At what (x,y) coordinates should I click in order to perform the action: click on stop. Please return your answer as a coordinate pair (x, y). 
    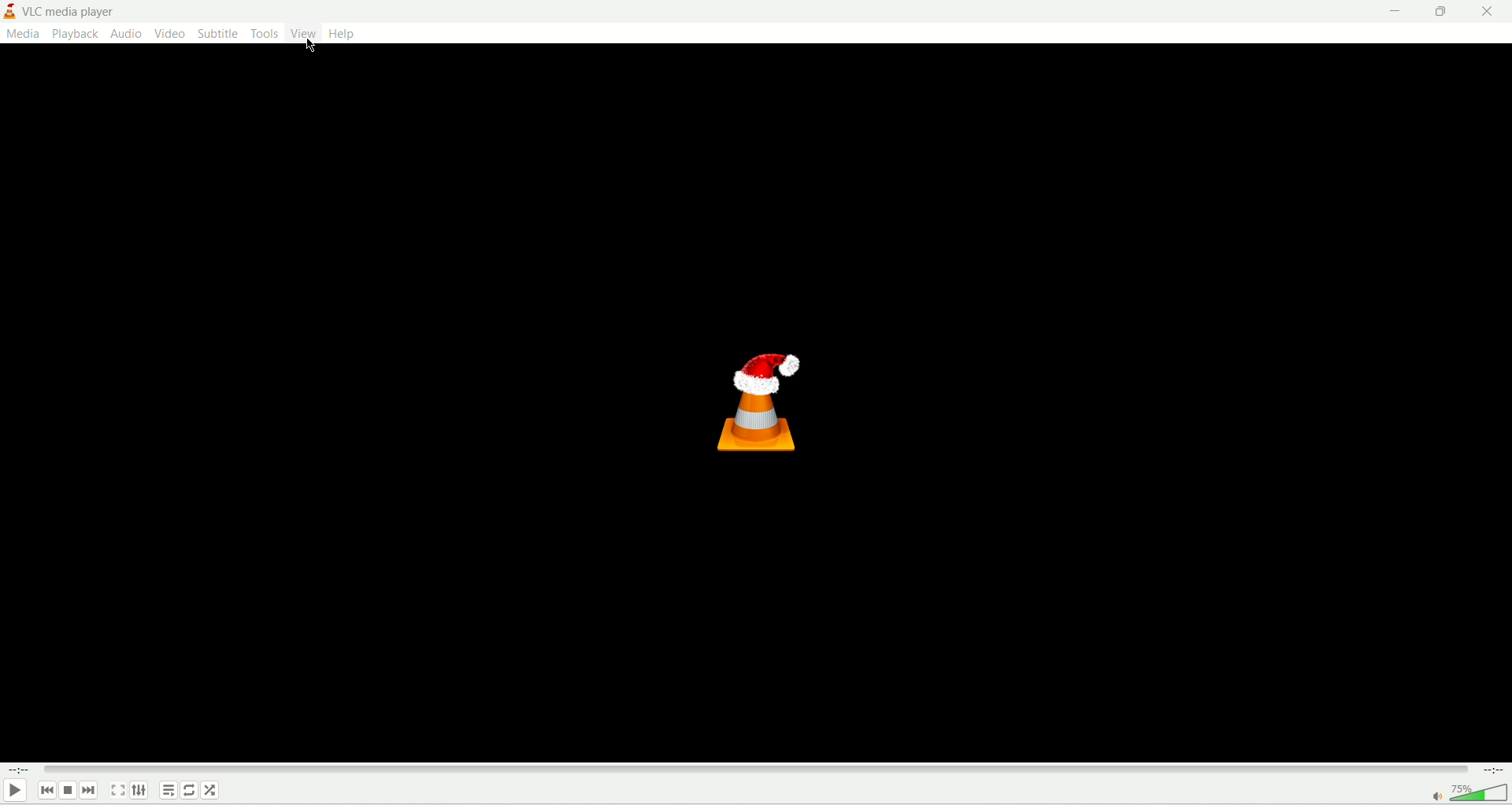
    Looking at the image, I should click on (68, 792).